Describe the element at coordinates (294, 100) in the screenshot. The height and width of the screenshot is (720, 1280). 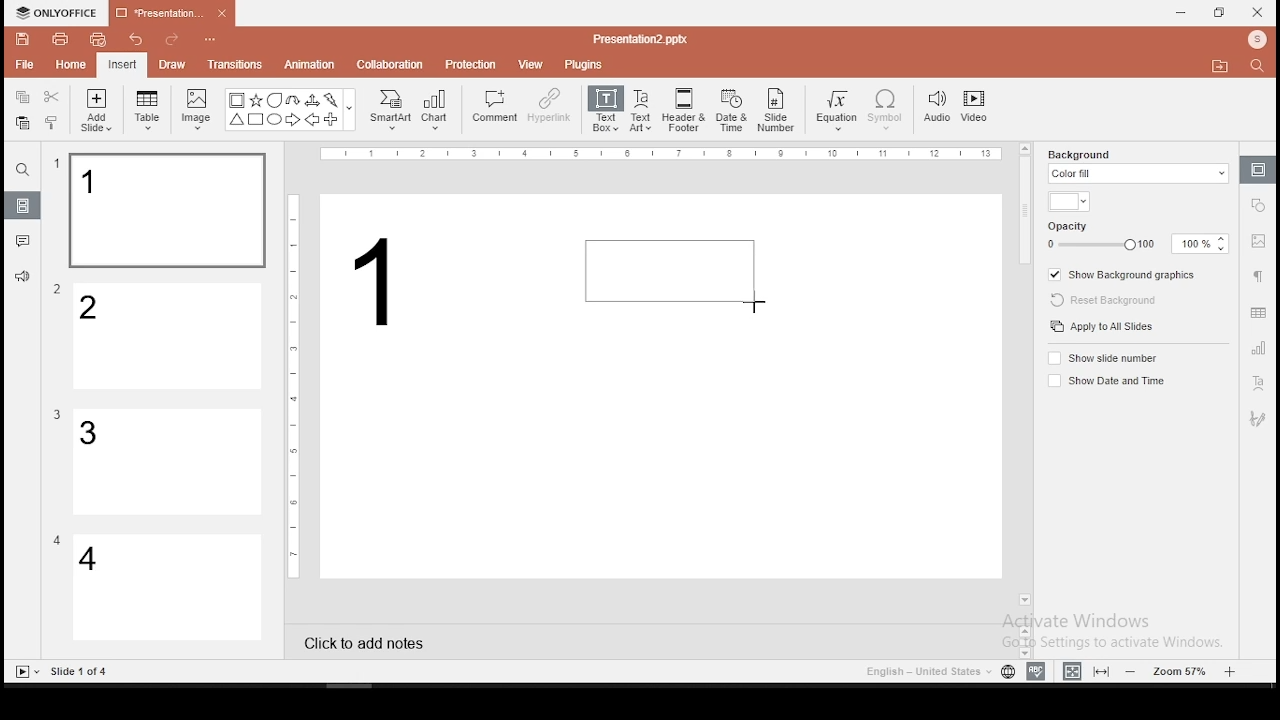
I see `U Arrow` at that location.